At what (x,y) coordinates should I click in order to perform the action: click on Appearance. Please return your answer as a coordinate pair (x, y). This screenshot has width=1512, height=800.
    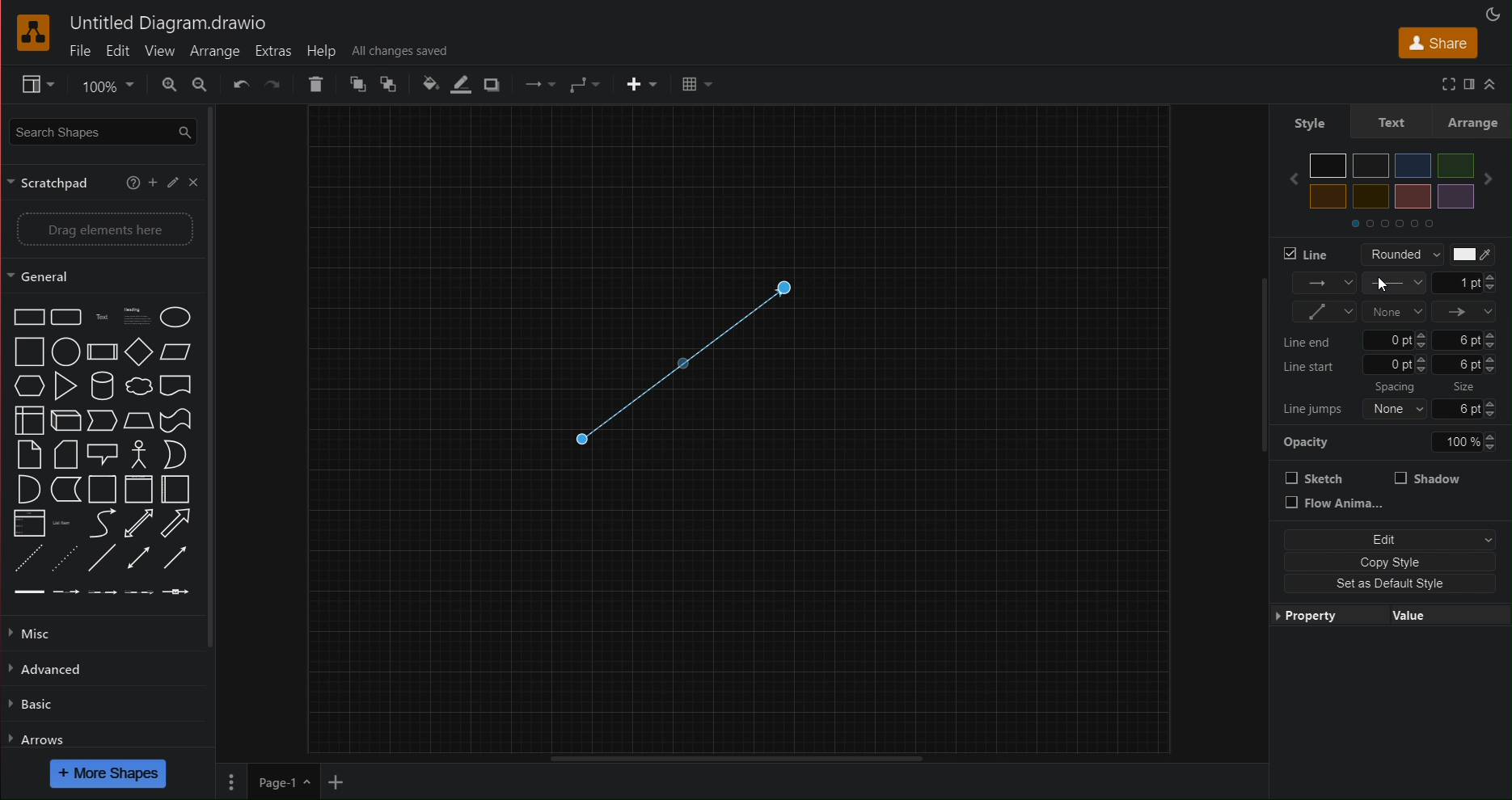
    Looking at the image, I should click on (1495, 13).